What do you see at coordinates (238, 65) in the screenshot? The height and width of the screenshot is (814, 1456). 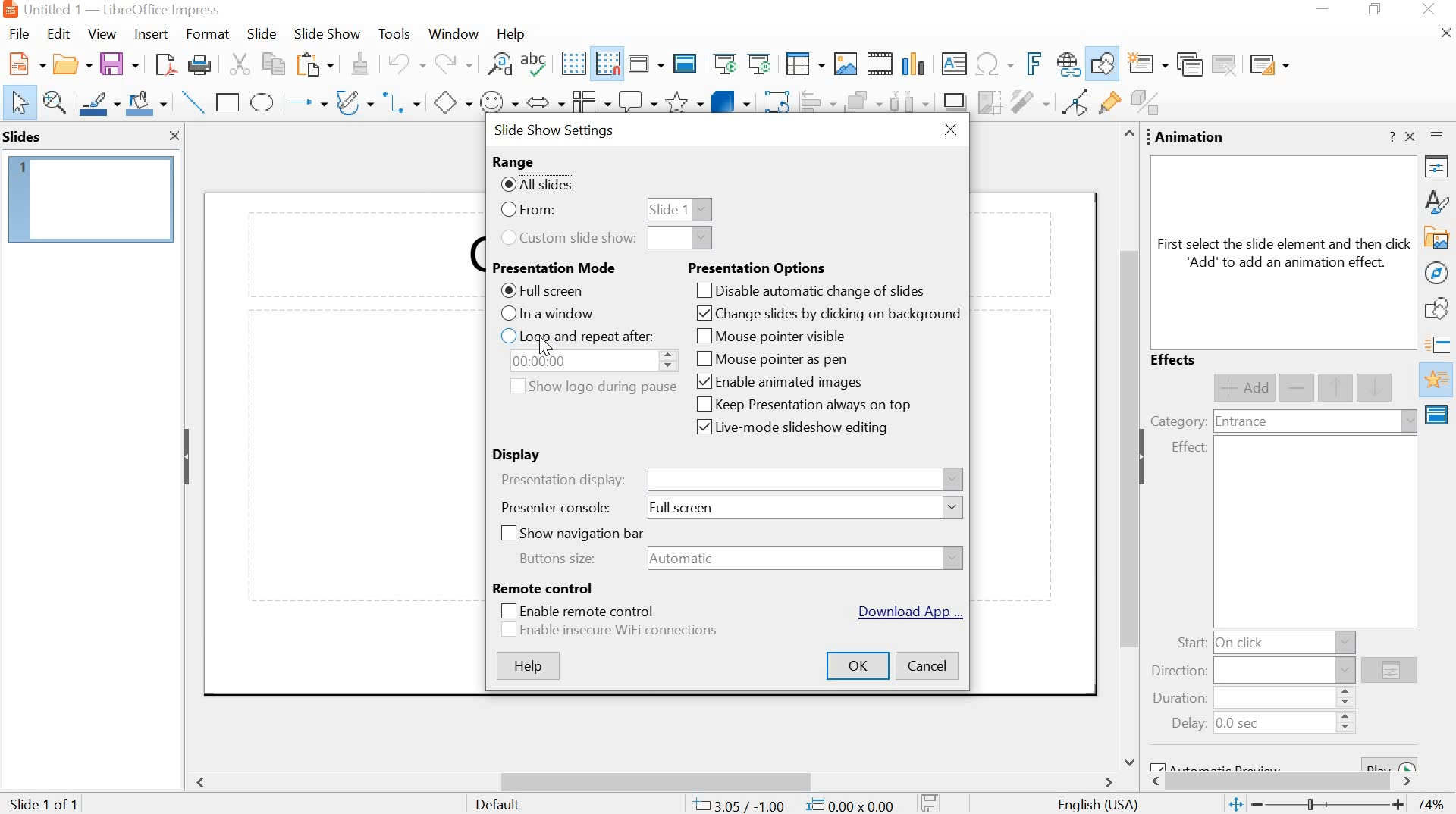 I see `cut` at bounding box center [238, 65].